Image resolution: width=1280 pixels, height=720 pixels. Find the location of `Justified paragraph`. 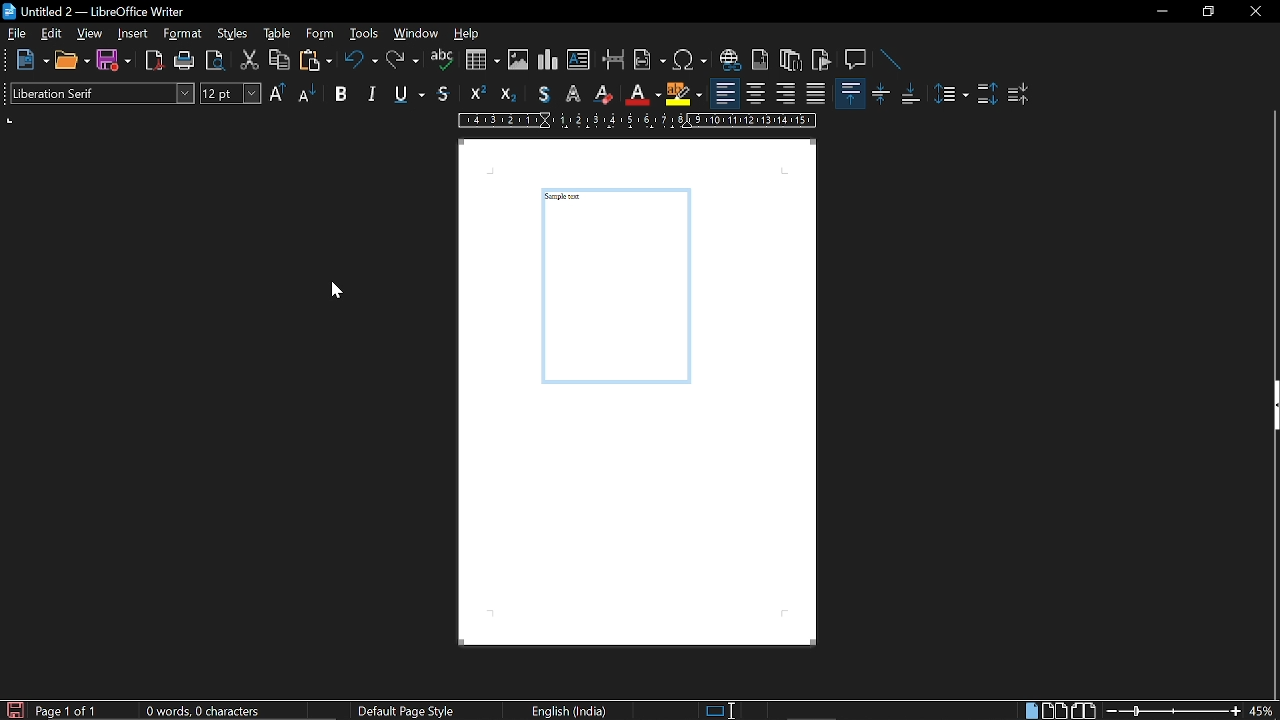

Justified paragraph is located at coordinates (953, 95).